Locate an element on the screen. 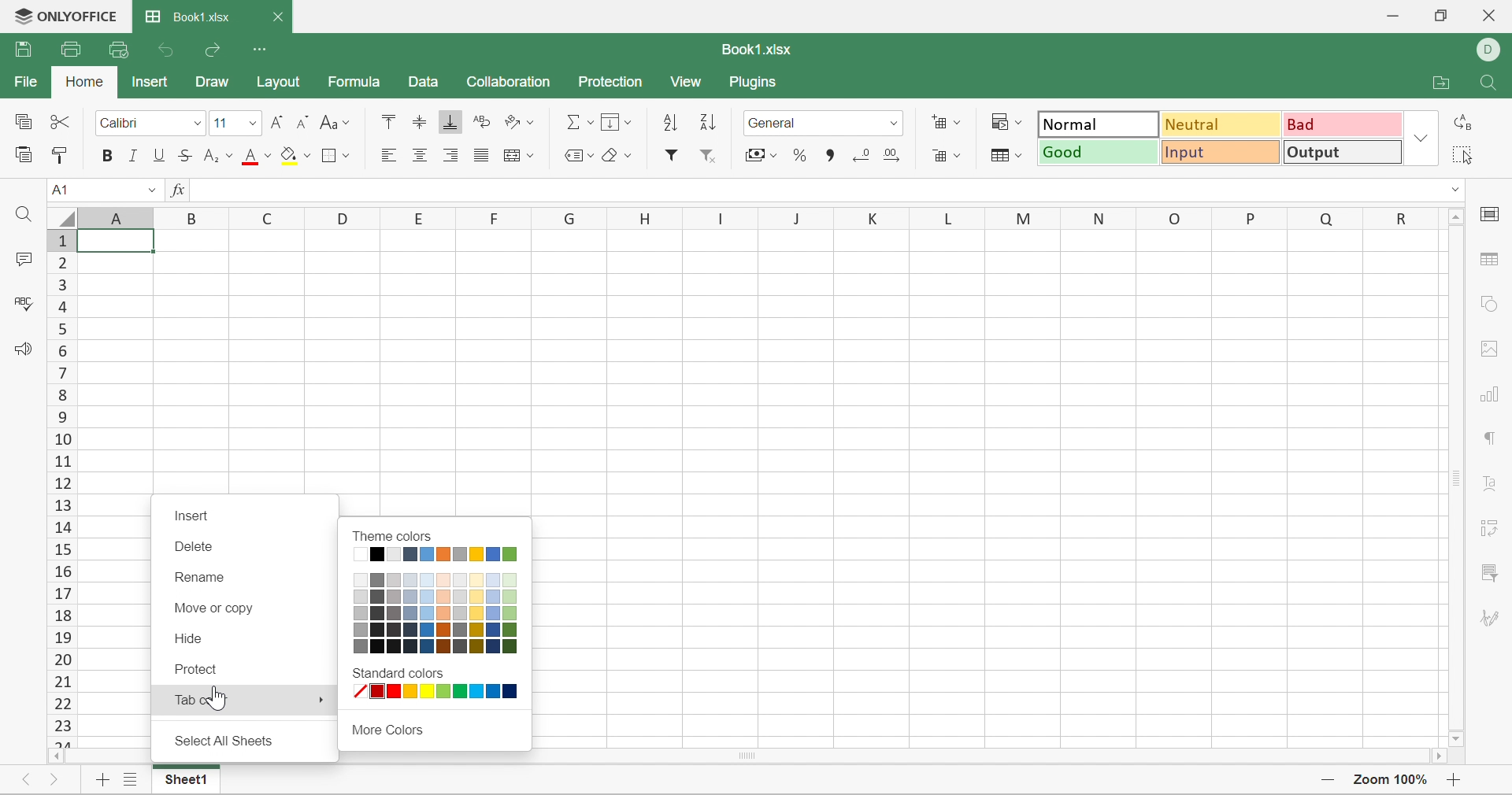  10 is located at coordinates (61, 442).